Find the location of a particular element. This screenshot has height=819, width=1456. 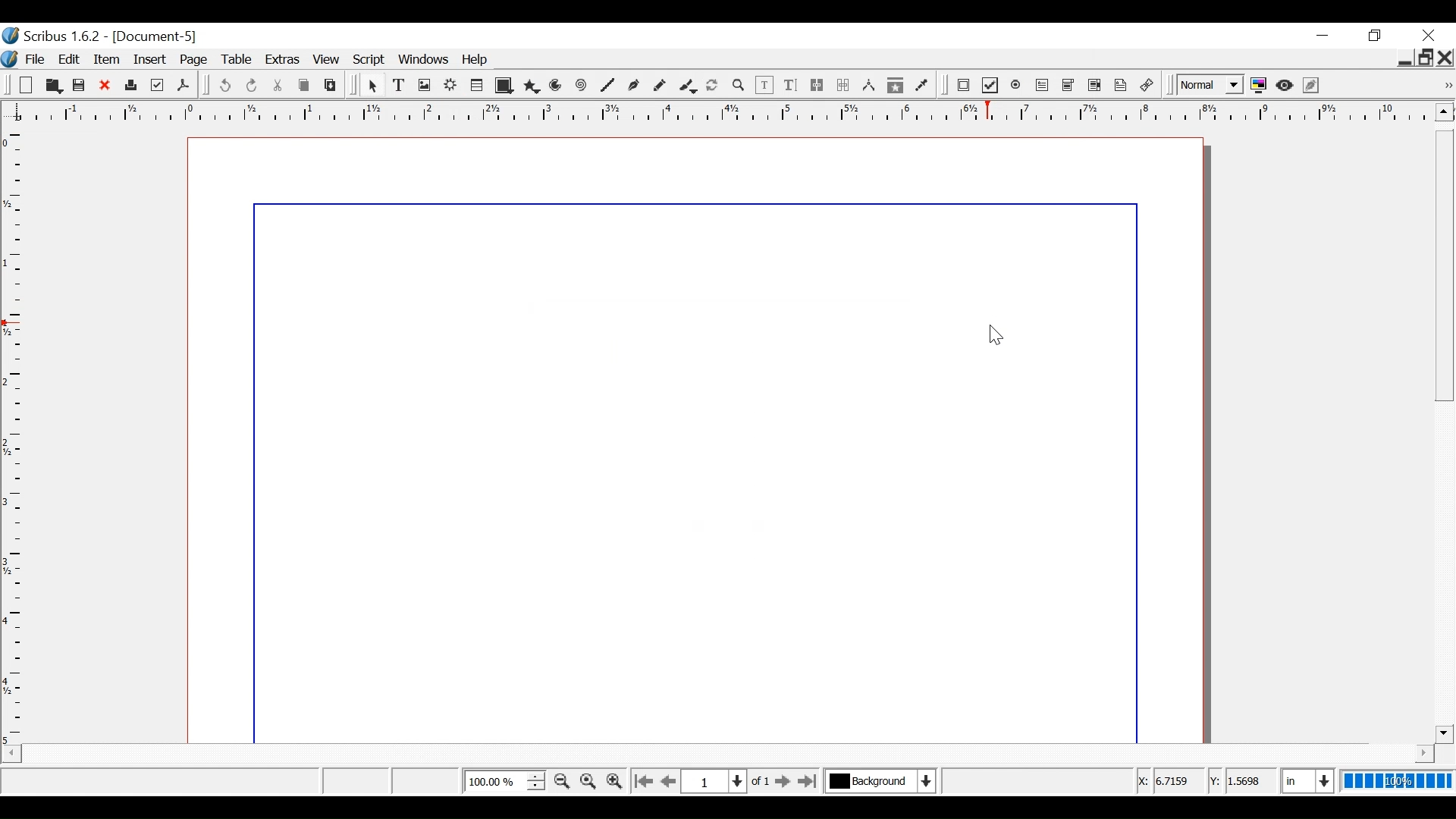

Text Annotation is located at coordinates (1121, 86).